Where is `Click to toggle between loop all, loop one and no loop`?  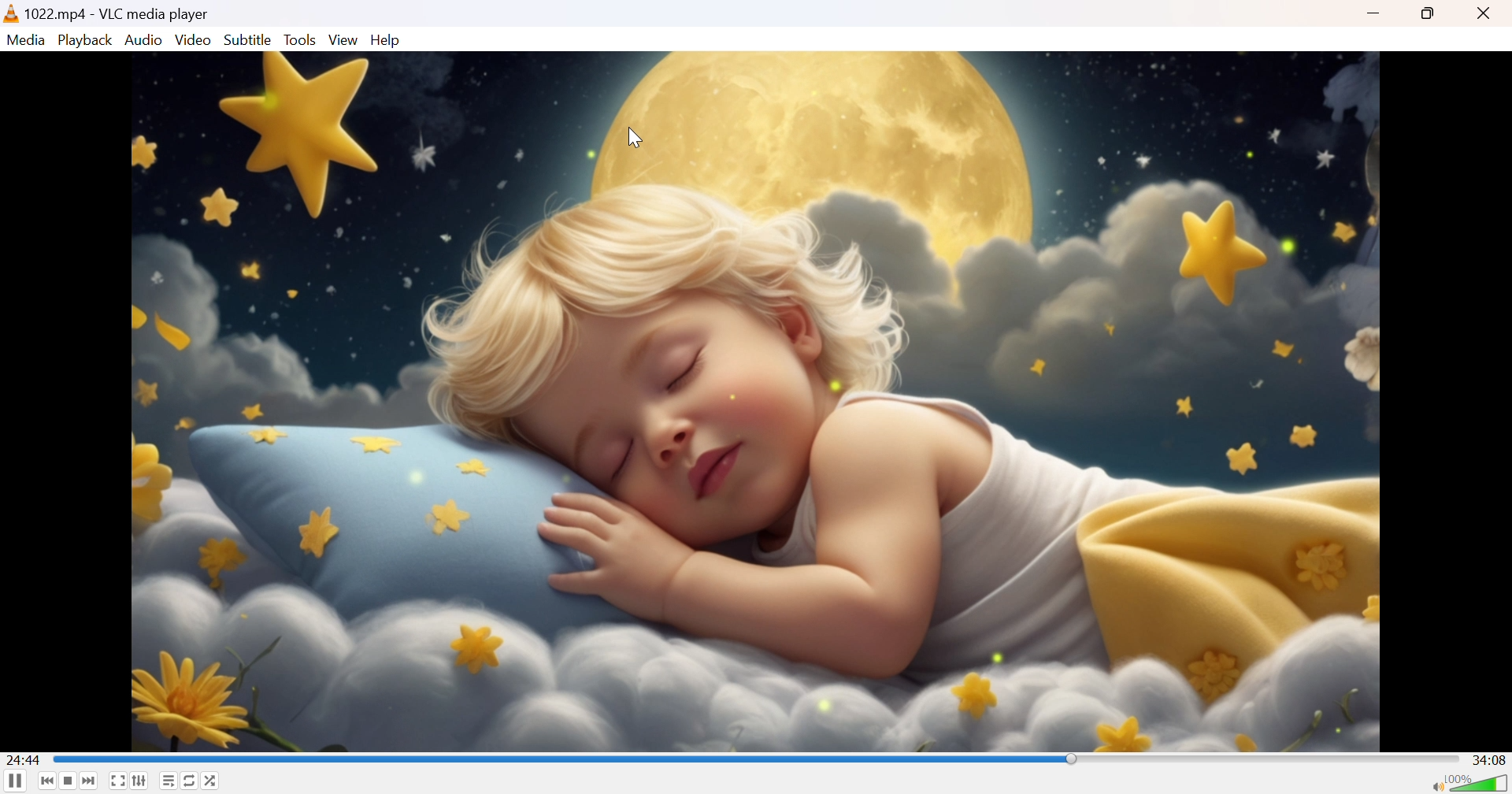 Click to toggle between loop all, loop one and no loop is located at coordinates (188, 779).